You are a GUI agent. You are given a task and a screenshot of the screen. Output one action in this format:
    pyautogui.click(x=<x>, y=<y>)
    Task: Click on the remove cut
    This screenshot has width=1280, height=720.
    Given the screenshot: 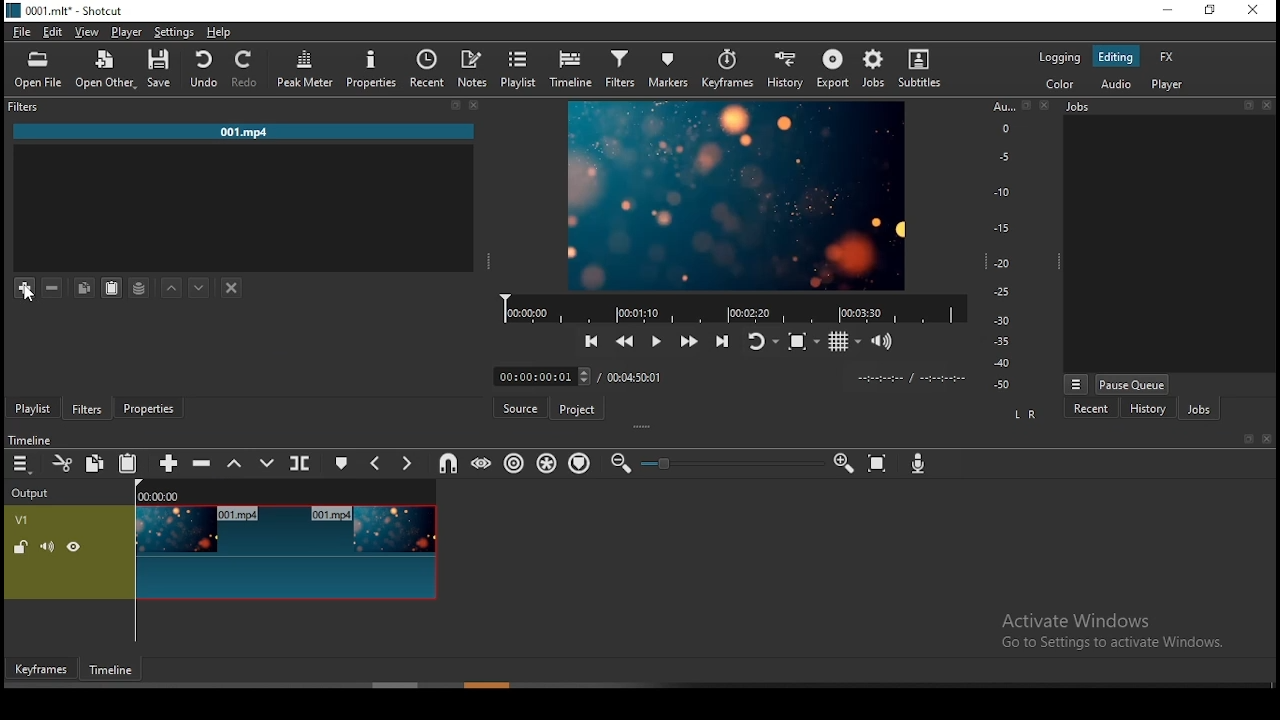 What is the action you would take?
    pyautogui.click(x=95, y=380)
    